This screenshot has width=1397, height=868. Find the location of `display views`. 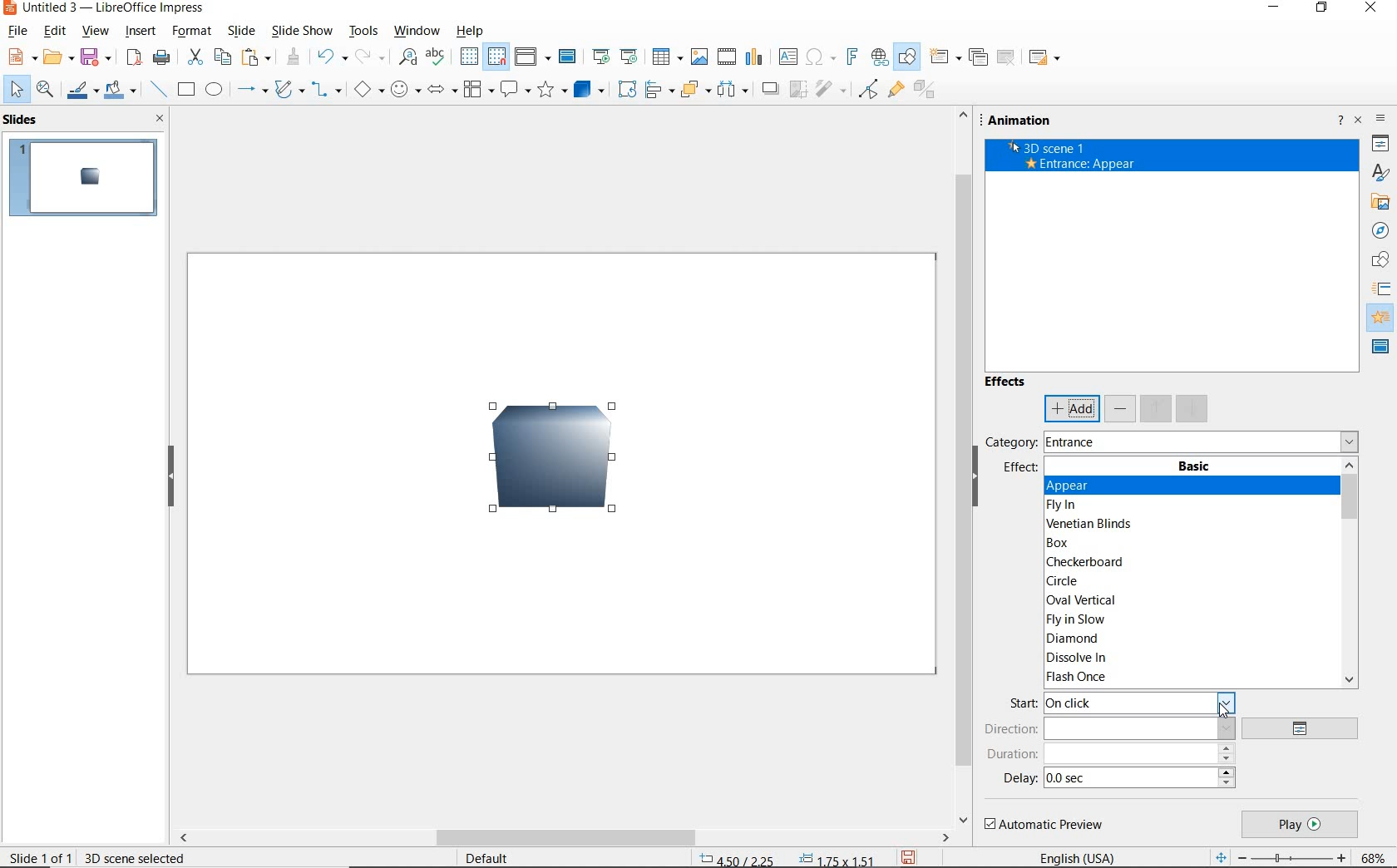

display views is located at coordinates (533, 57).